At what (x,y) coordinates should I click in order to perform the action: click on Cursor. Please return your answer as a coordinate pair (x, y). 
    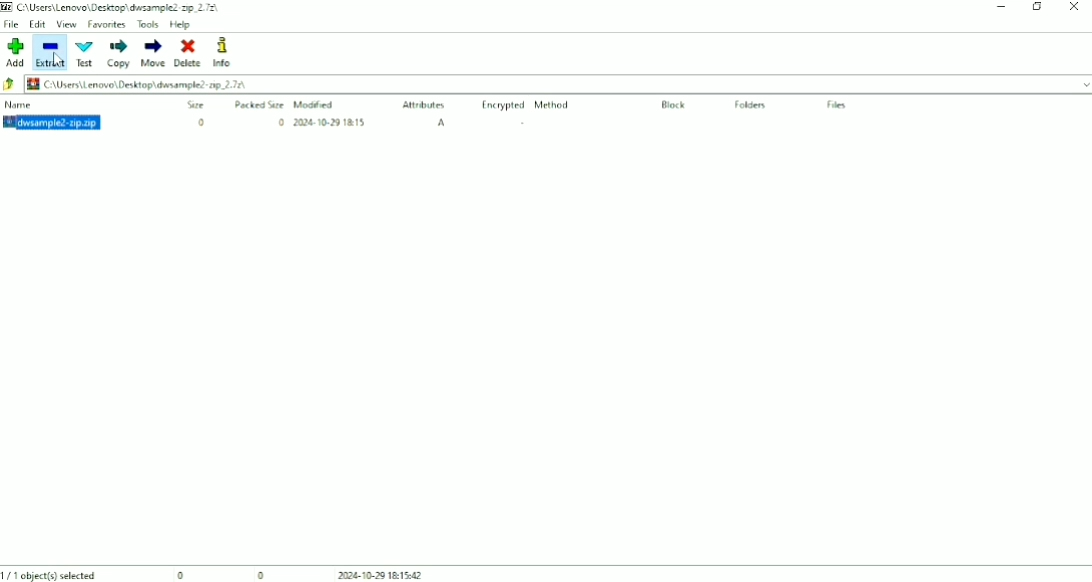
    Looking at the image, I should click on (59, 62).